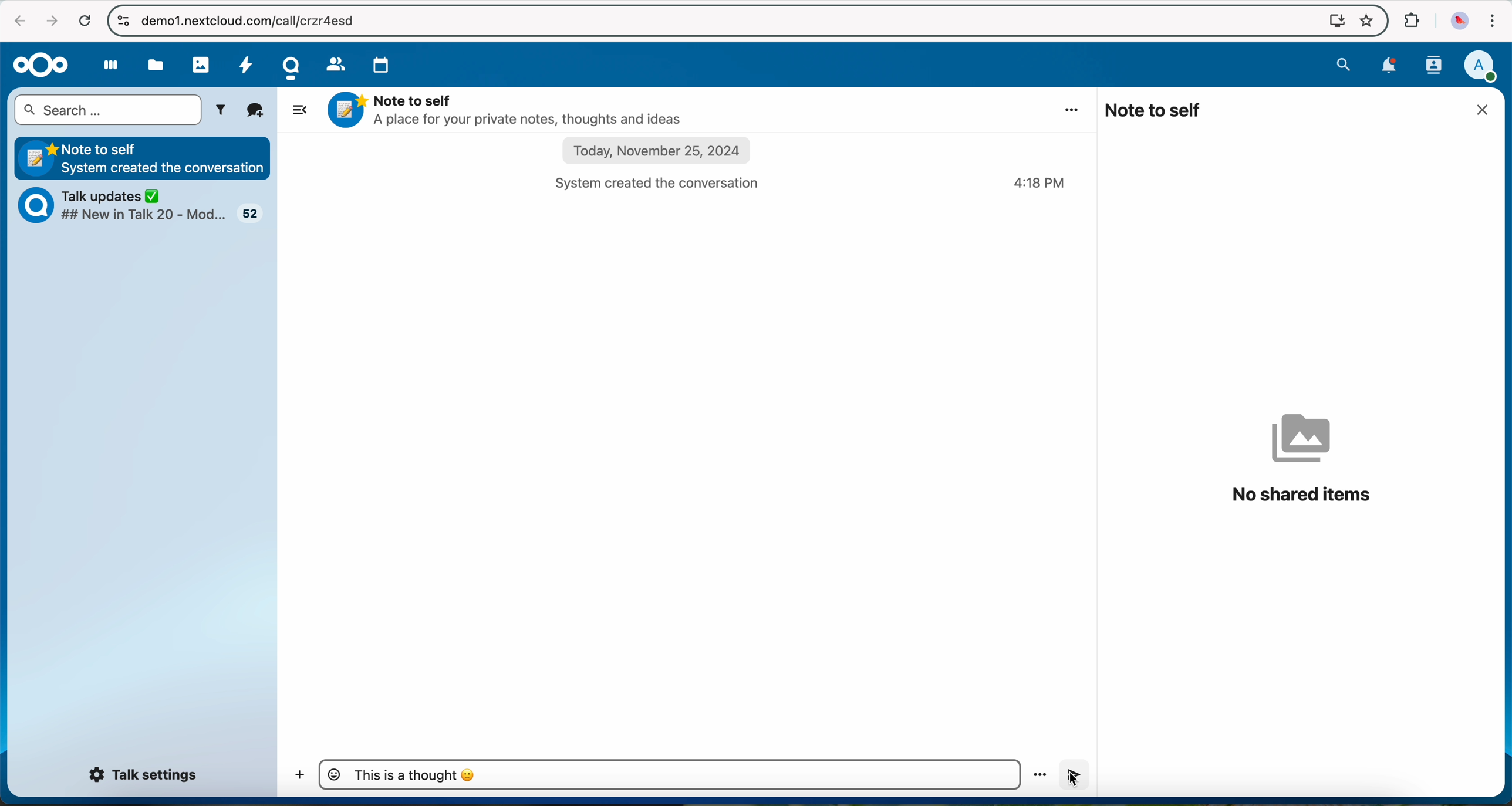 The height and width of the screenshot is (806, 1512). Describe the element at coordinates (1074, 109) in the screenshot. I see `more options` at that location.